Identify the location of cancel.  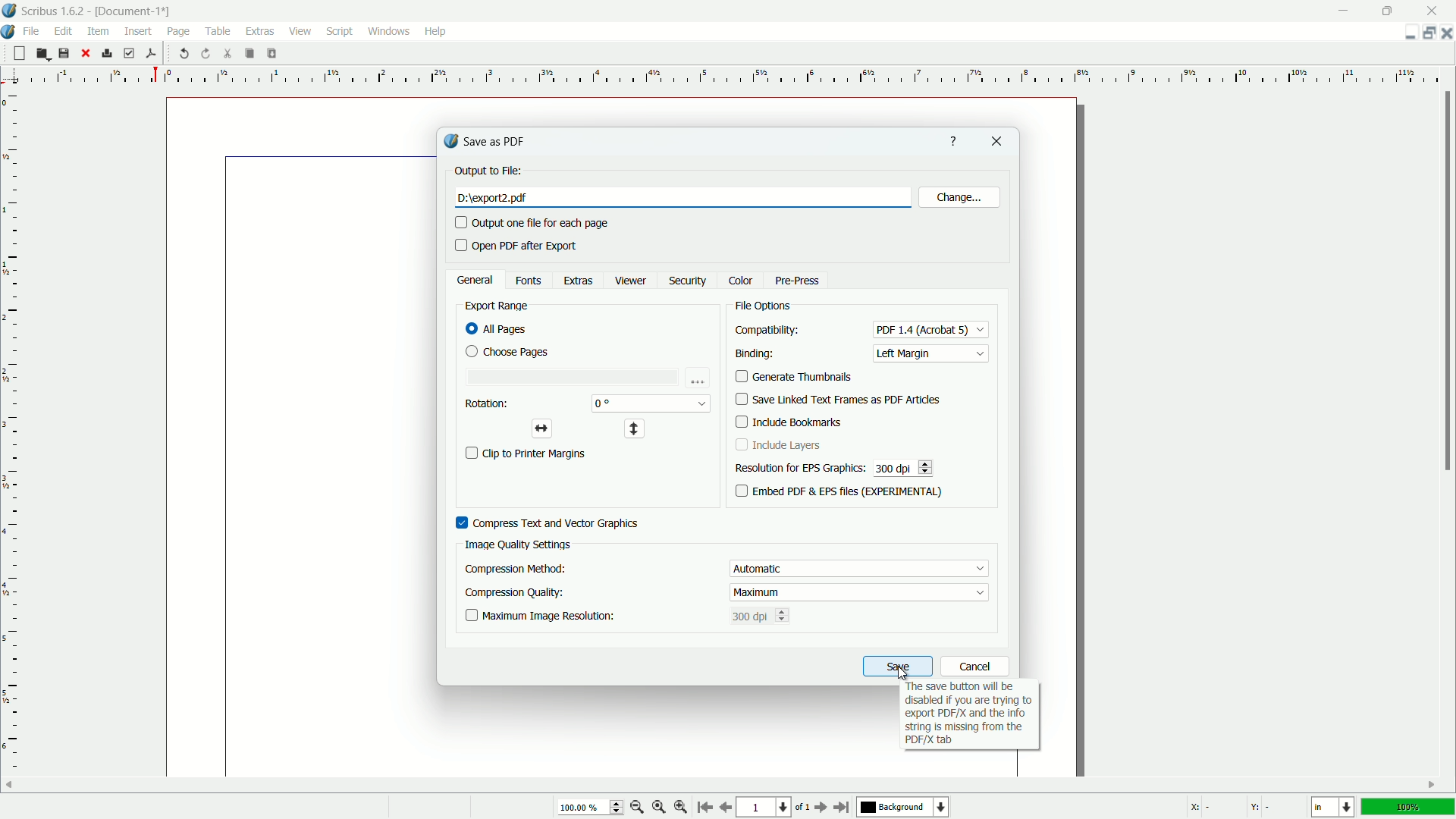
(971, 667).